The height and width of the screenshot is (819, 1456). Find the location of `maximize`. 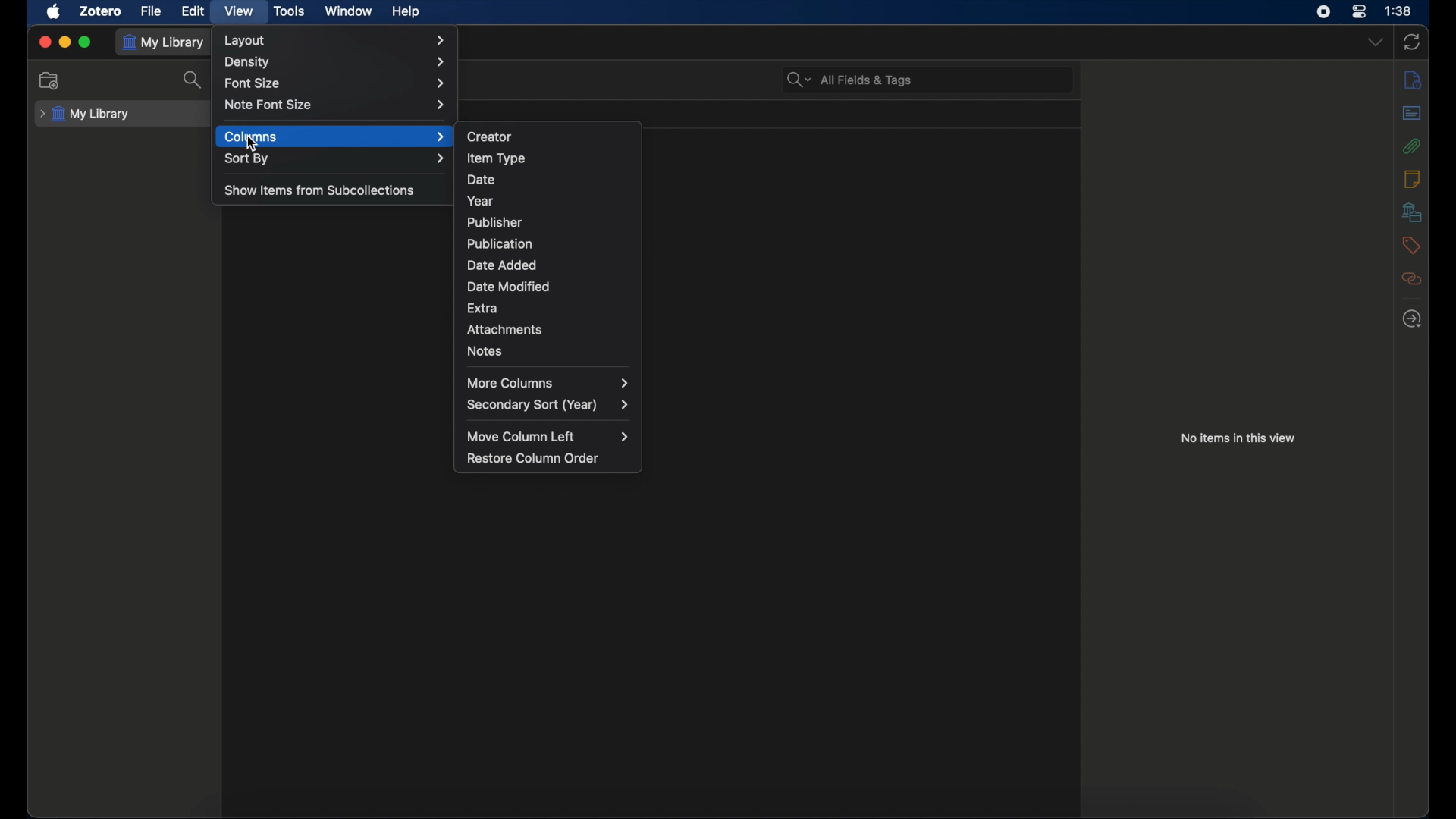

maximize is located at coordinates (86, 42).